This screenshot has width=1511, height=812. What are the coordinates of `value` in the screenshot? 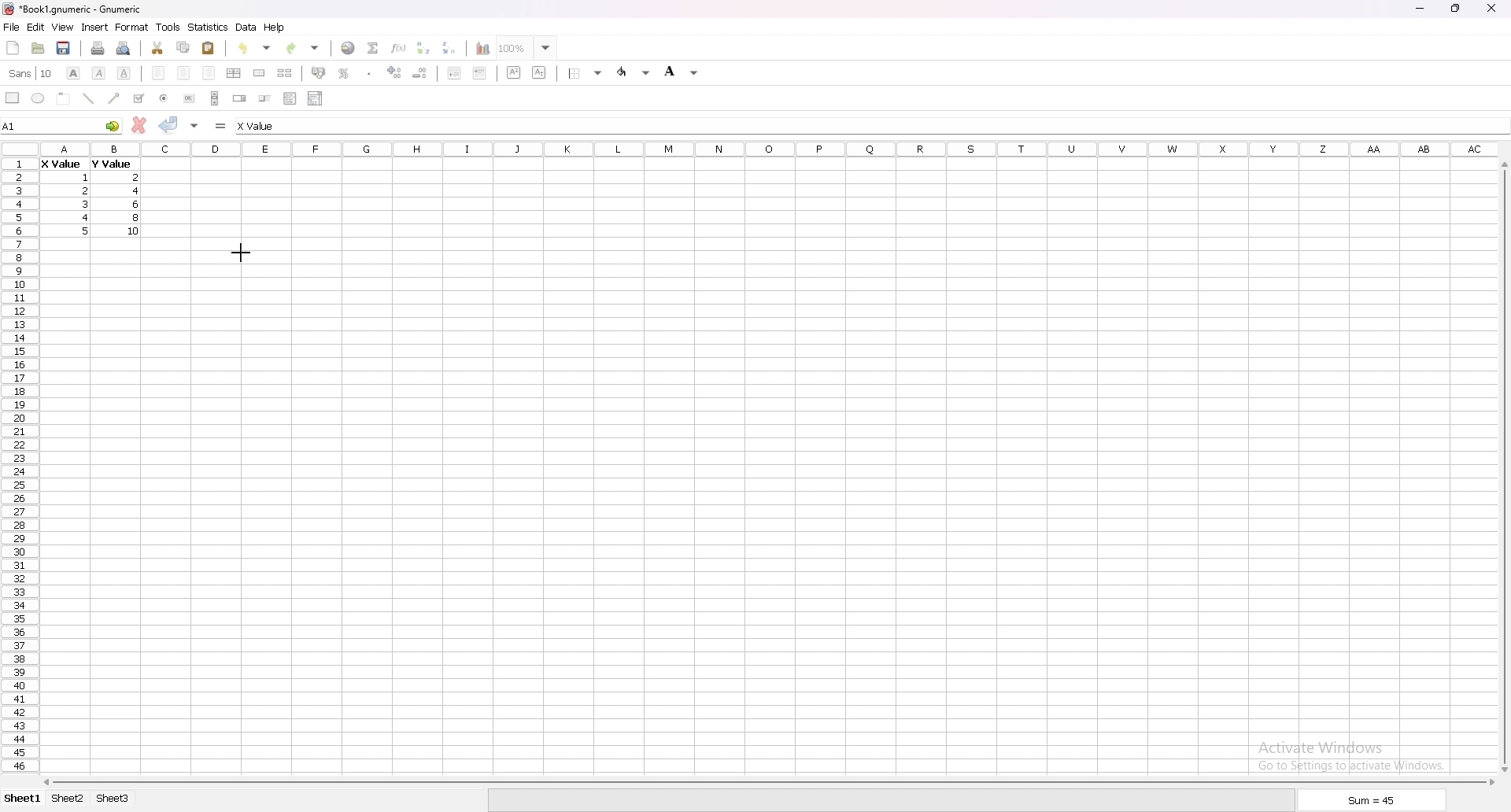 It's located at (140, 191).